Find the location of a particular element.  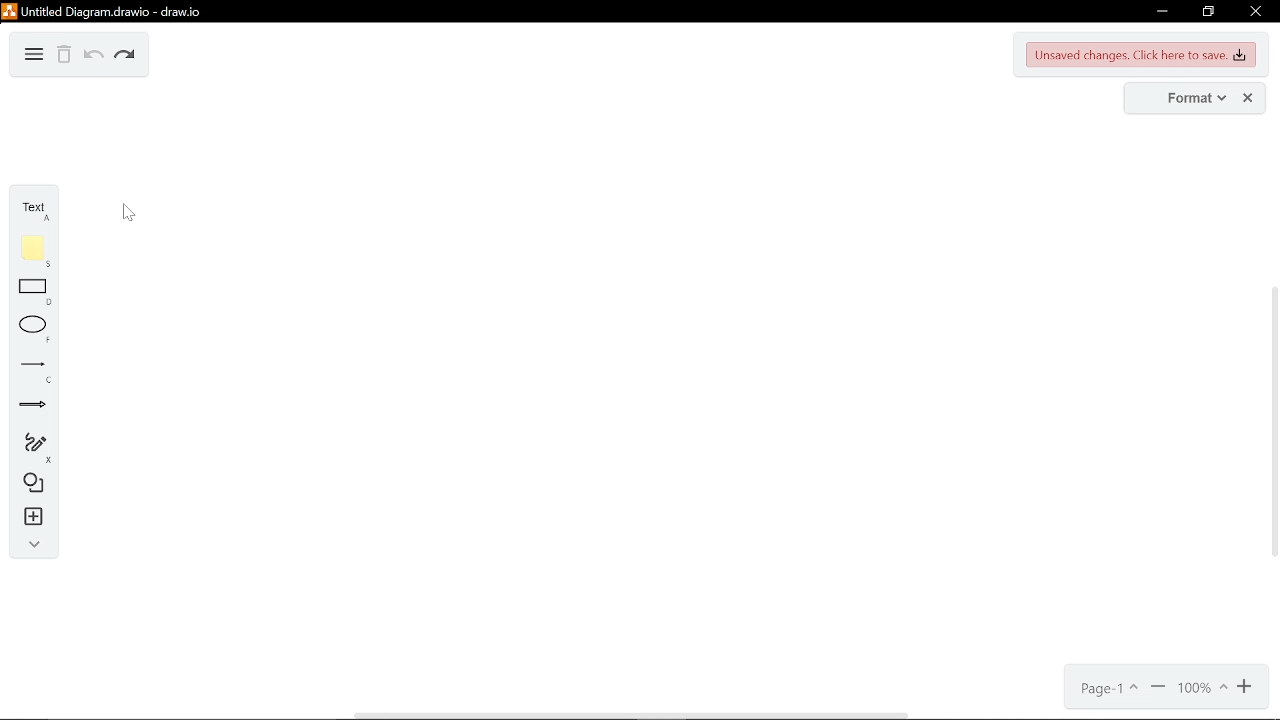

note is located at coordinates (37, 252).